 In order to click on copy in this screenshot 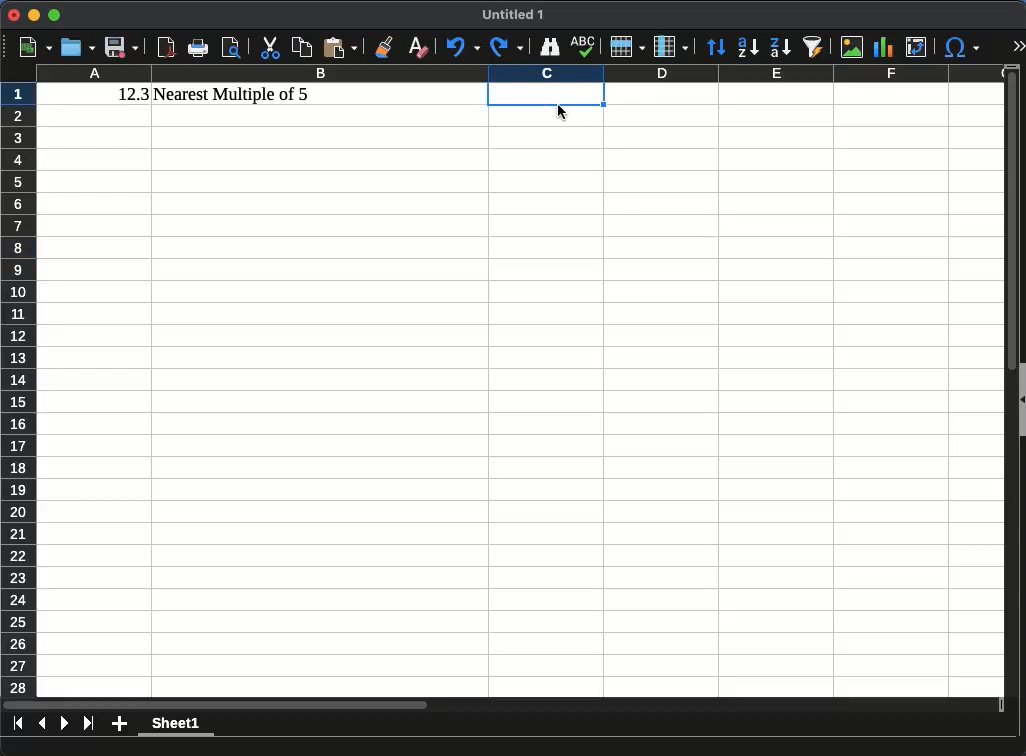, I will do `click(301, 46)`.